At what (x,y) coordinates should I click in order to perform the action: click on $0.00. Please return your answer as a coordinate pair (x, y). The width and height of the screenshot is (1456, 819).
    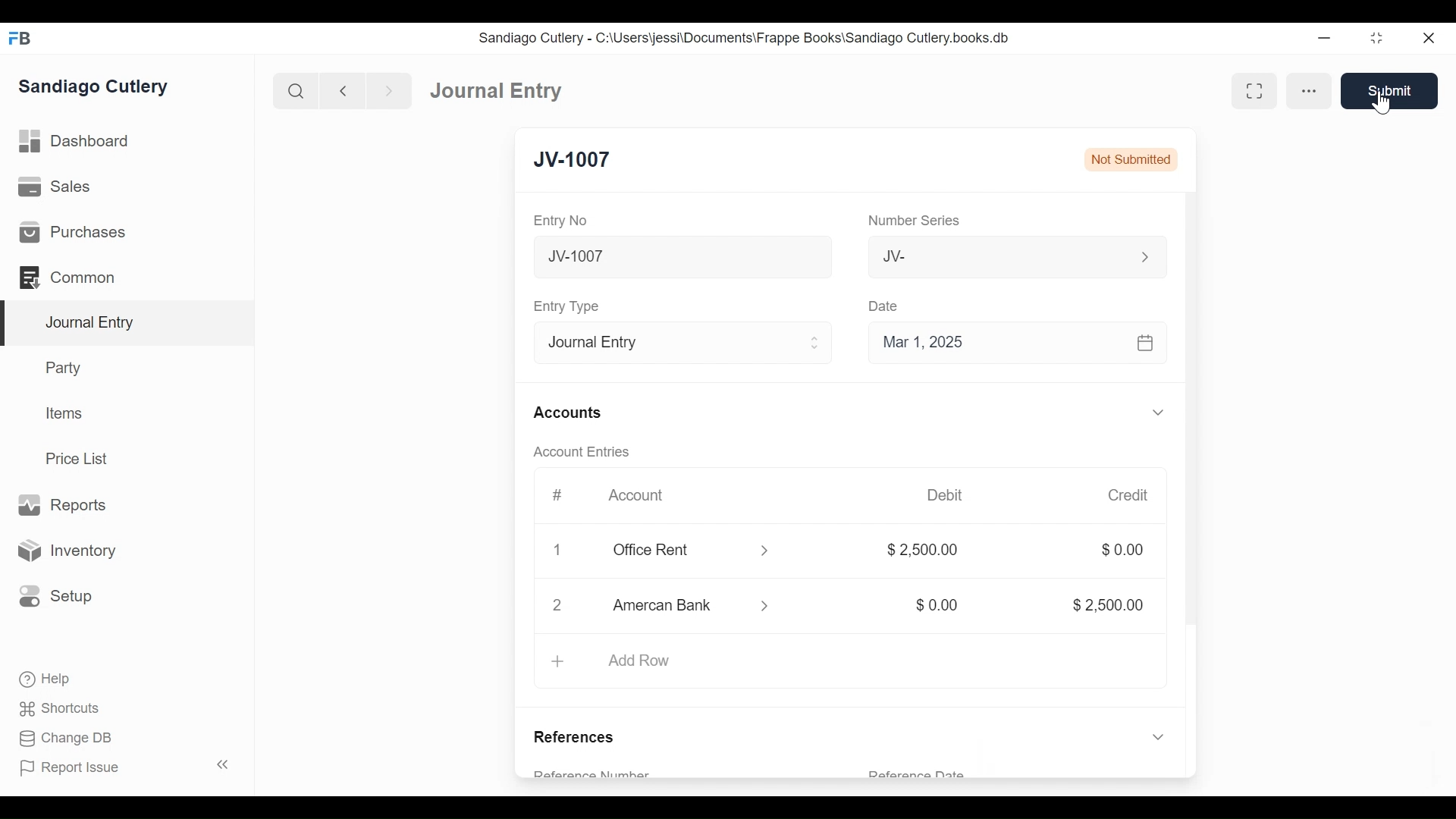
    Looking at the image, I should click on (932, 605).